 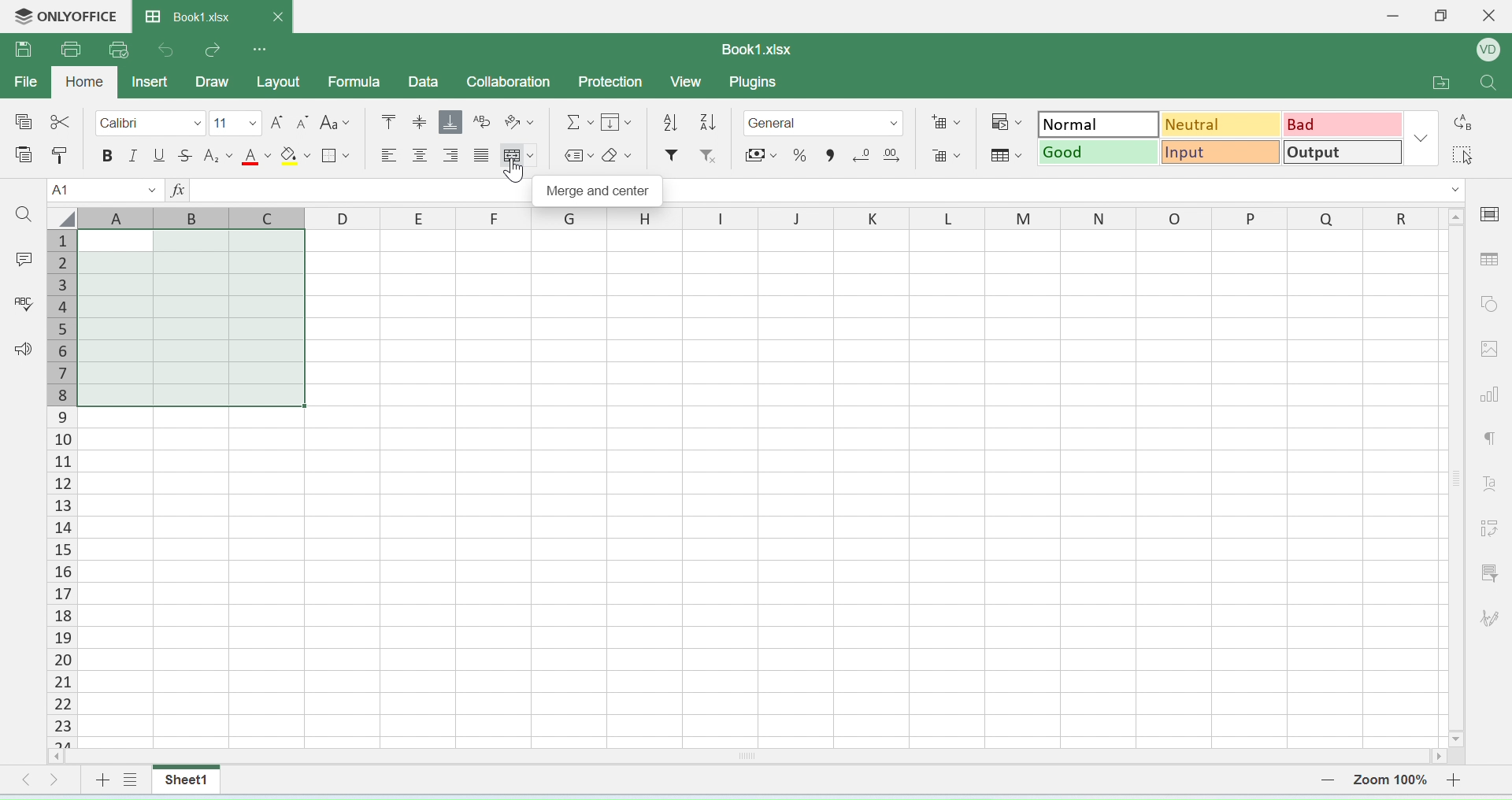 I want to click on percent, so click(x=803, y=154).